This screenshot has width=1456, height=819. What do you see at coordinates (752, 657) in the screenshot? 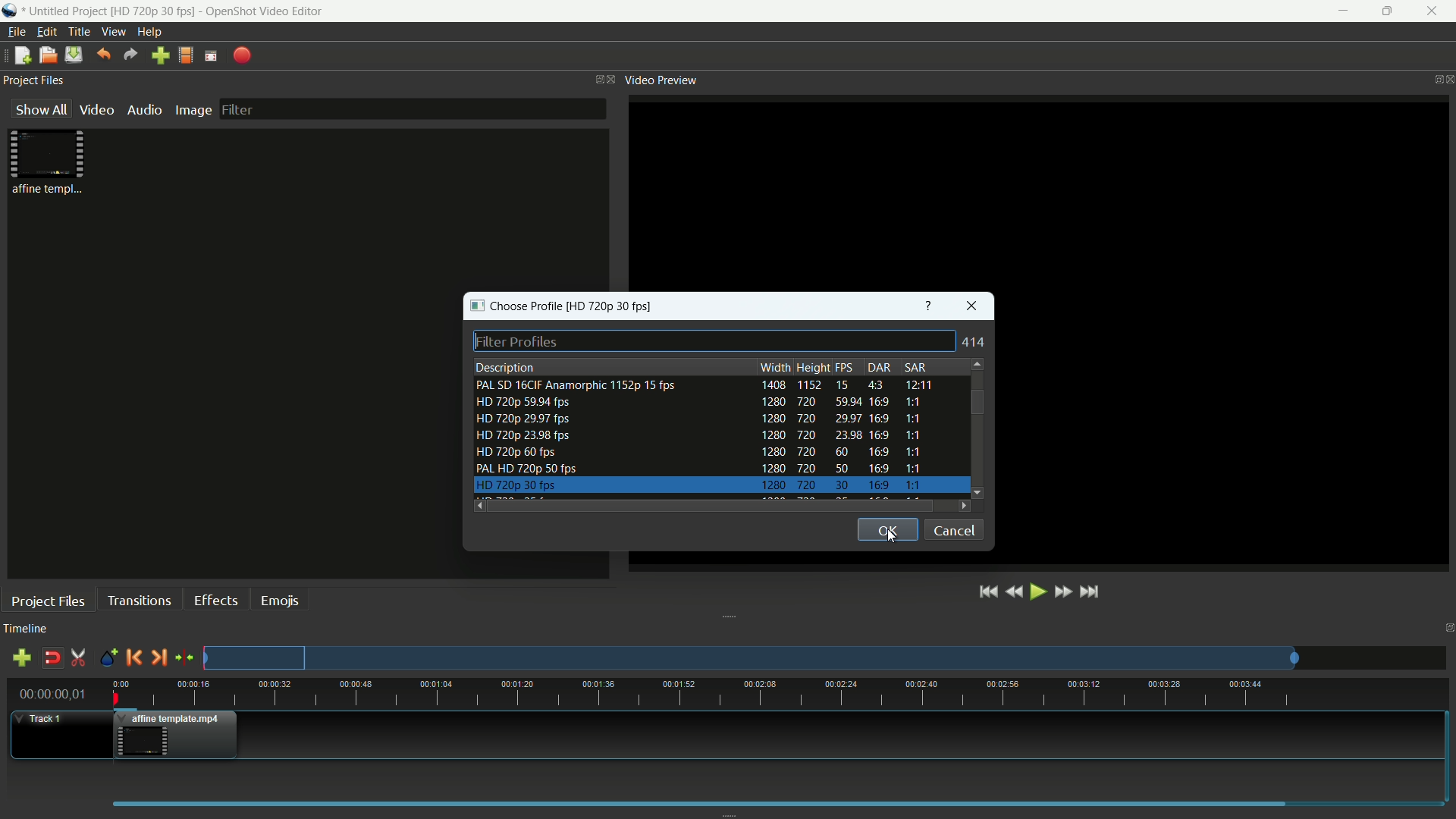
I see `track preview` at bounding box center [752, 657].